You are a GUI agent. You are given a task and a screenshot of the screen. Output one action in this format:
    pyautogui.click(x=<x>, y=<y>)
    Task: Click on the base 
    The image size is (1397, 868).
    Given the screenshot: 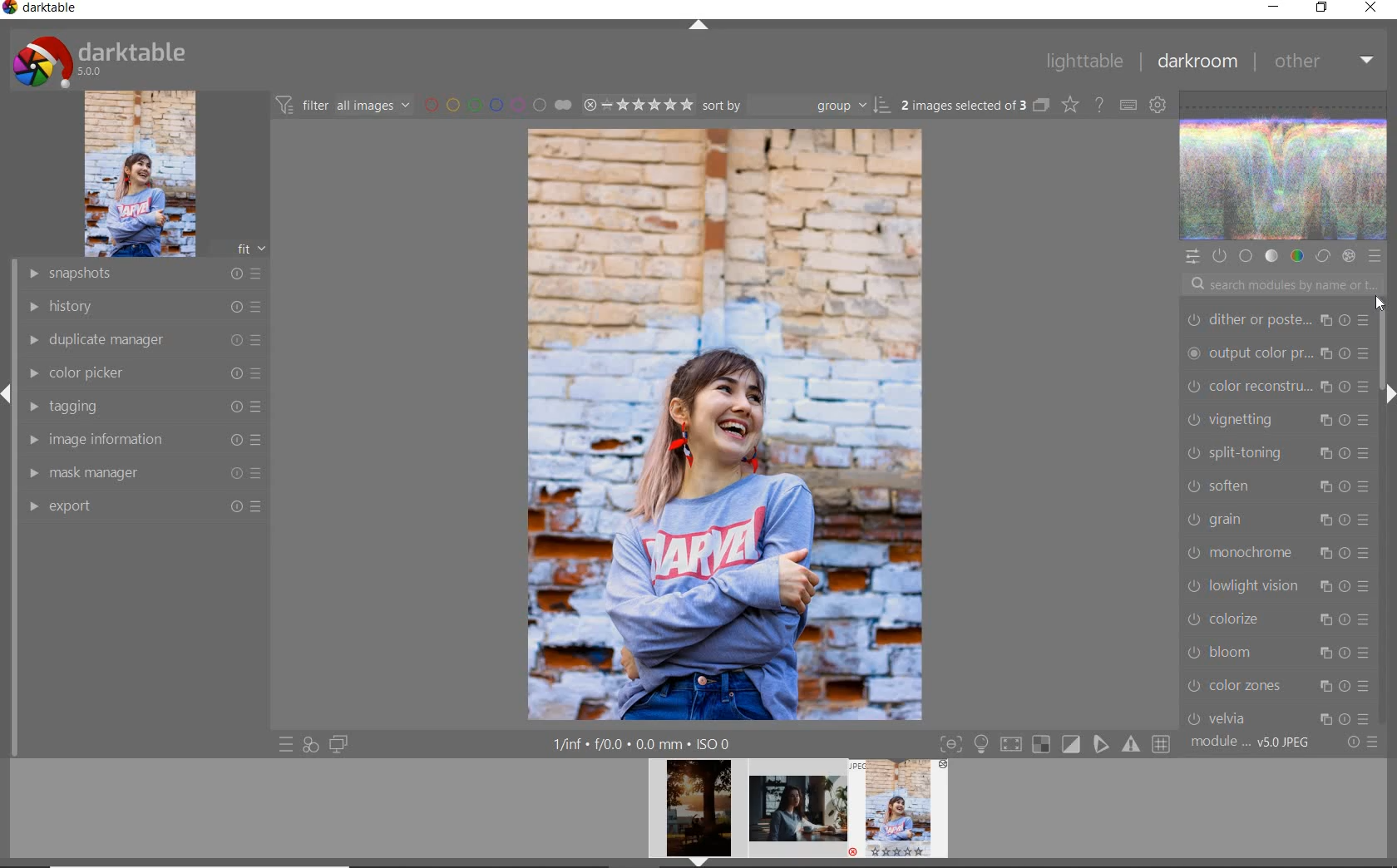 What is the action you would take?
    pyautogui.click(x=1247, y=257)
    